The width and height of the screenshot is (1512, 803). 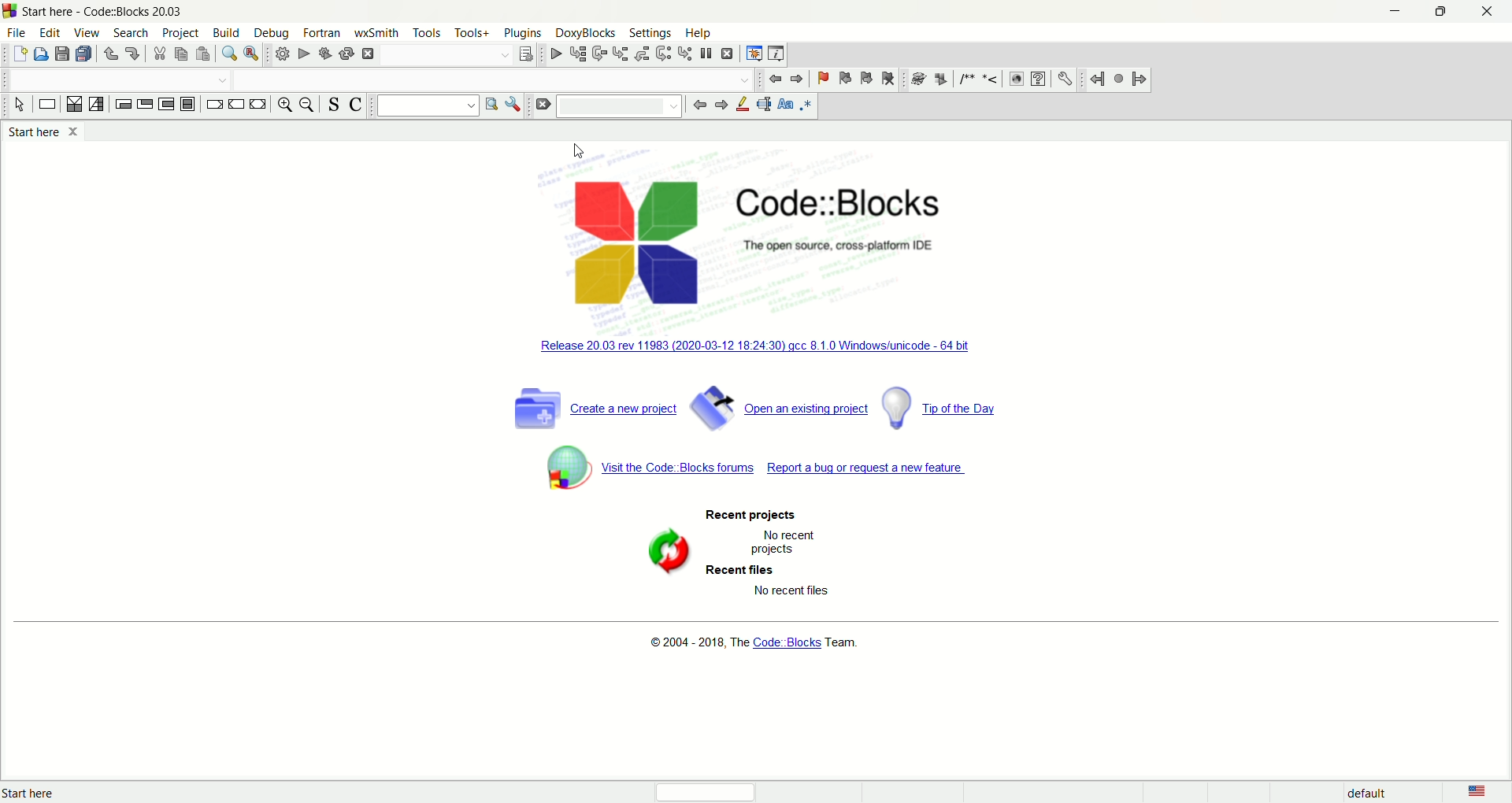 I want to click on step into, so click(x=622, y=54).